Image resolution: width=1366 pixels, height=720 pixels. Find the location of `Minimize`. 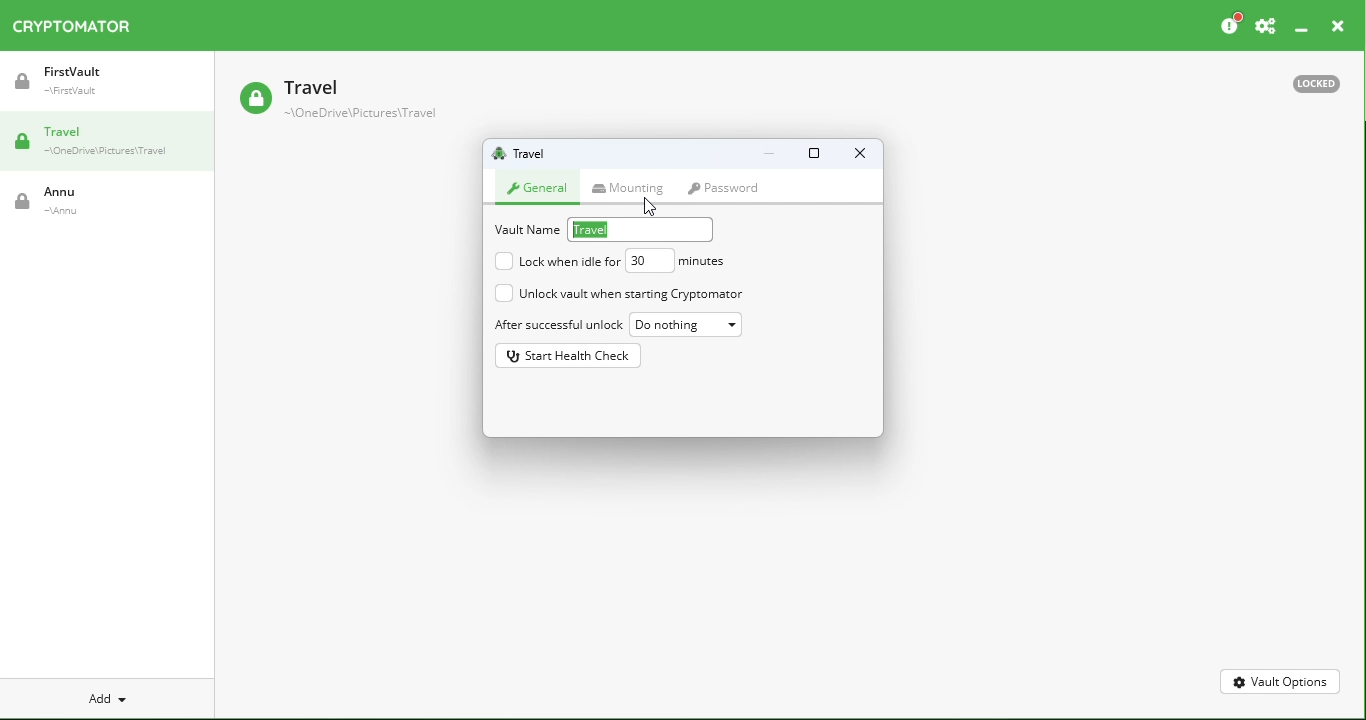

Minimize is located at coordinates (770, 156).